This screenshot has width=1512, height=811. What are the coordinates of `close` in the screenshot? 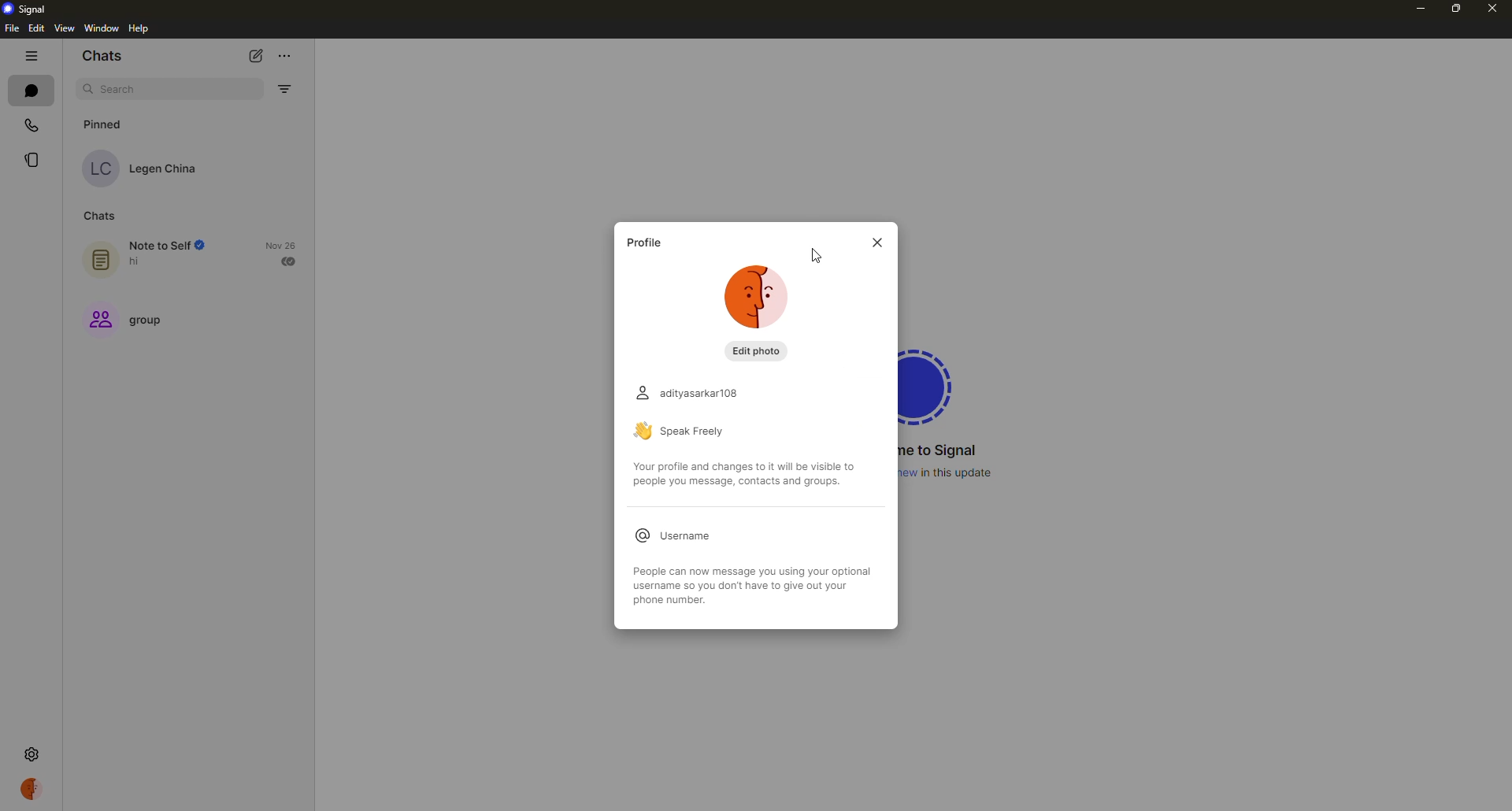 It's located at (1492, 7).